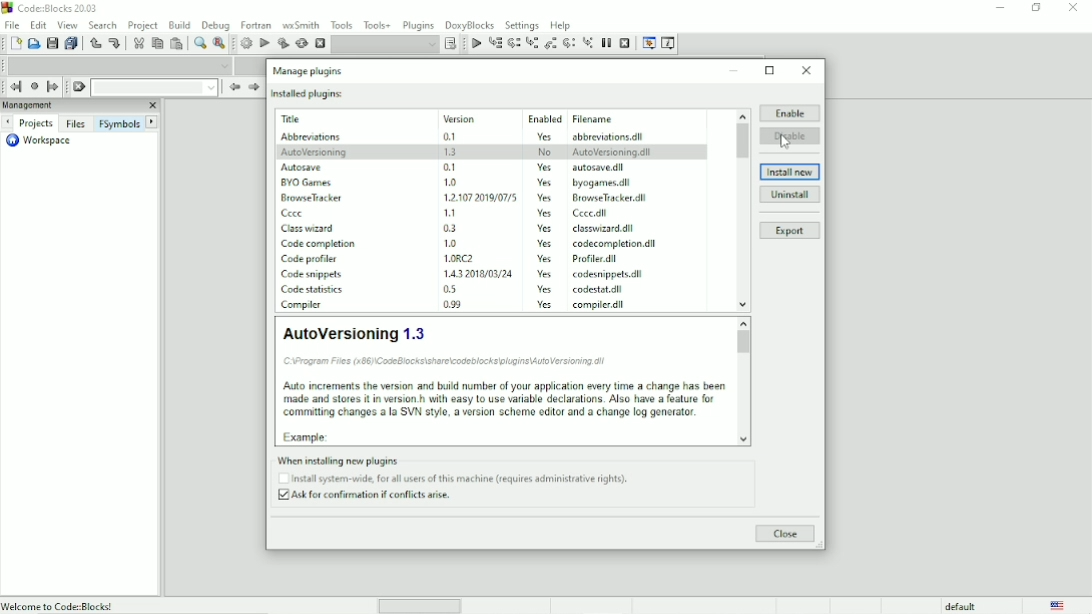 The width and height of the screenshot is (1092, 614). What do you see at coordinates (791, 195) in the screenshot?
I see `Uninstall` at bounding box center [791, 195].